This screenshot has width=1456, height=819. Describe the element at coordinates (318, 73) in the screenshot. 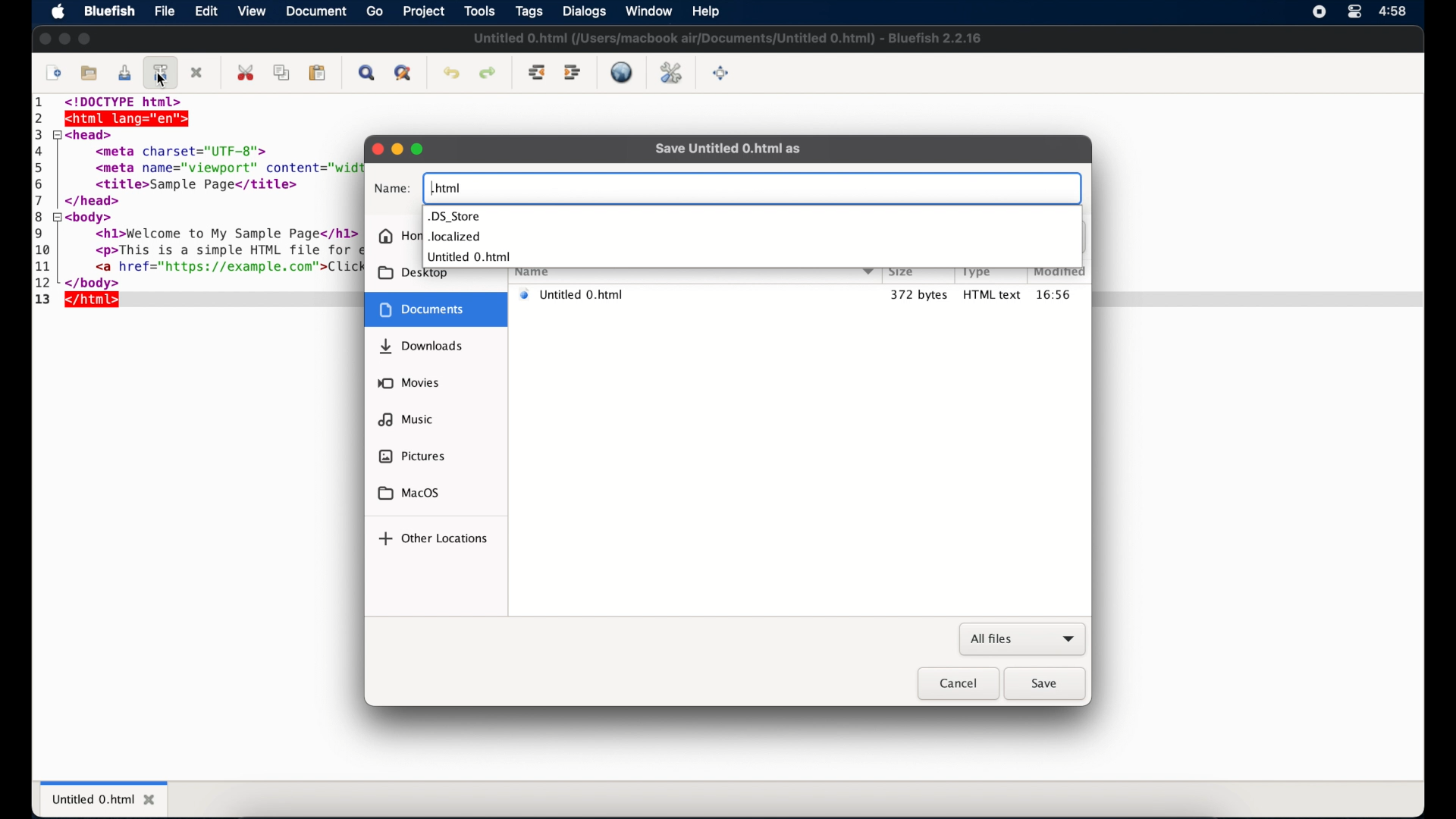

I see `paste` at that location.